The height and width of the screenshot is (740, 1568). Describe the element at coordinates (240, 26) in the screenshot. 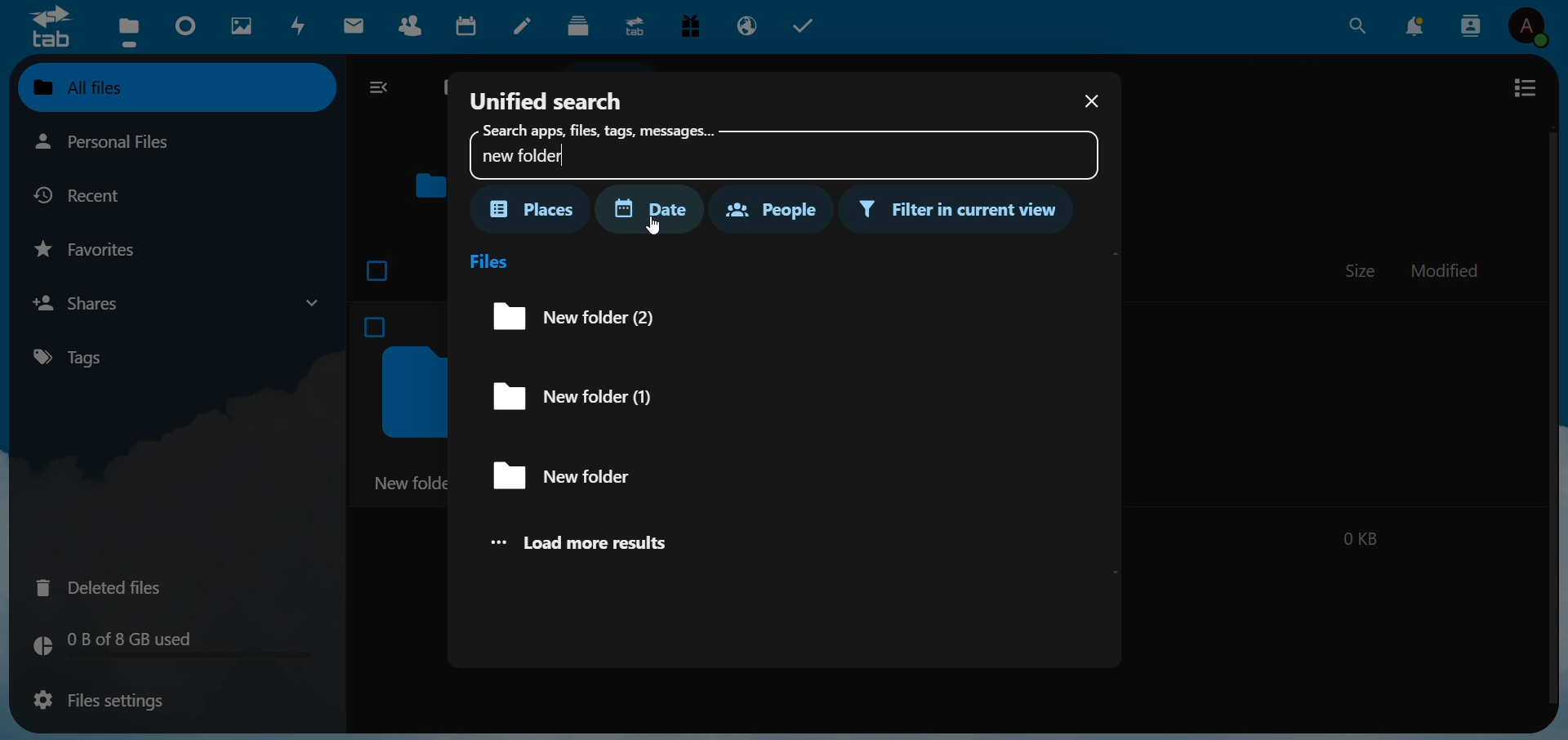

I see `images` at that location.